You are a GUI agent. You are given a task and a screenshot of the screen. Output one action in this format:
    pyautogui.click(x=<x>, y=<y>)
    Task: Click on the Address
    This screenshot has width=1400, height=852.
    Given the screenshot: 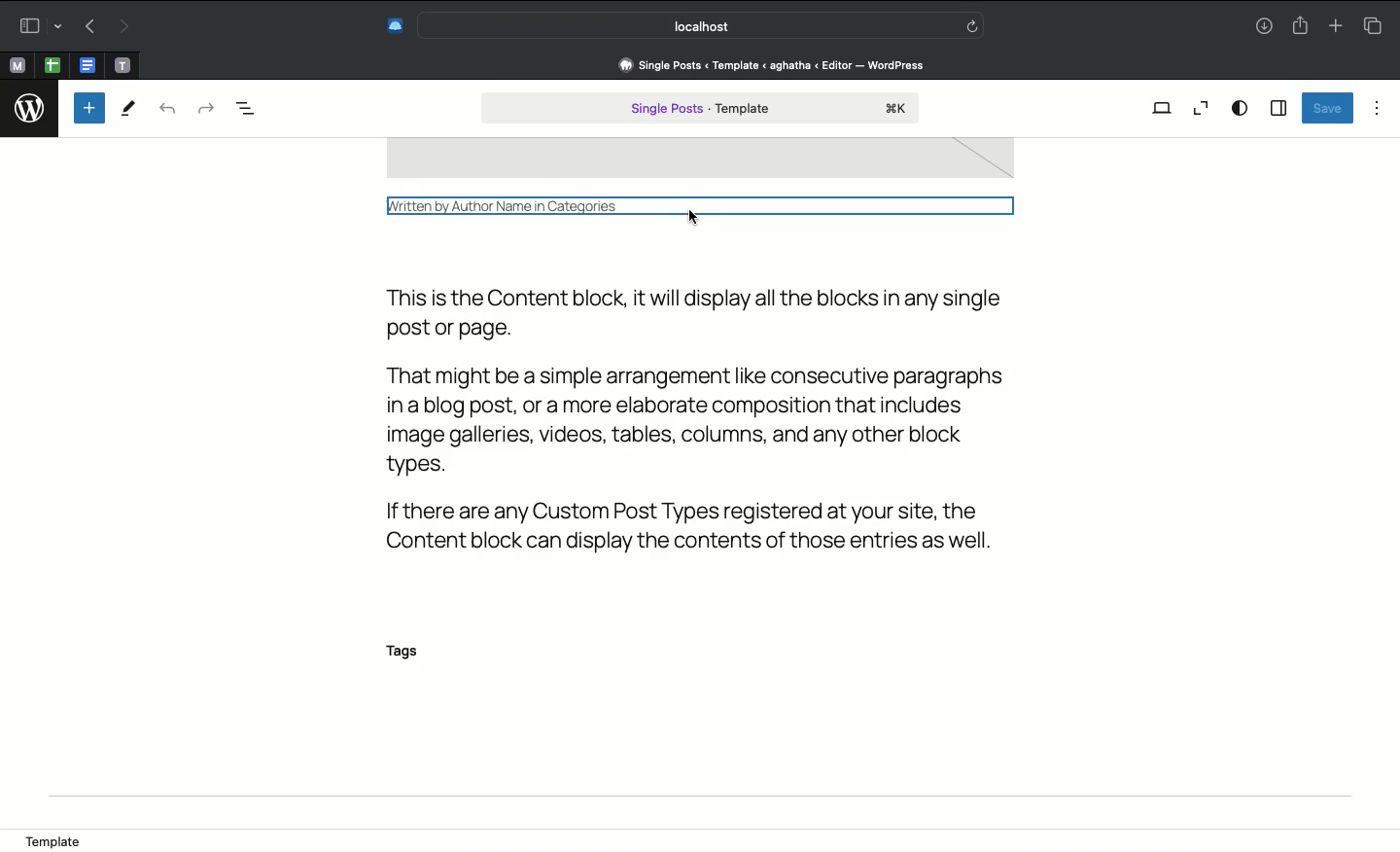 What is the action you would take?
    pyautogui.click(x=769, y=64)
    